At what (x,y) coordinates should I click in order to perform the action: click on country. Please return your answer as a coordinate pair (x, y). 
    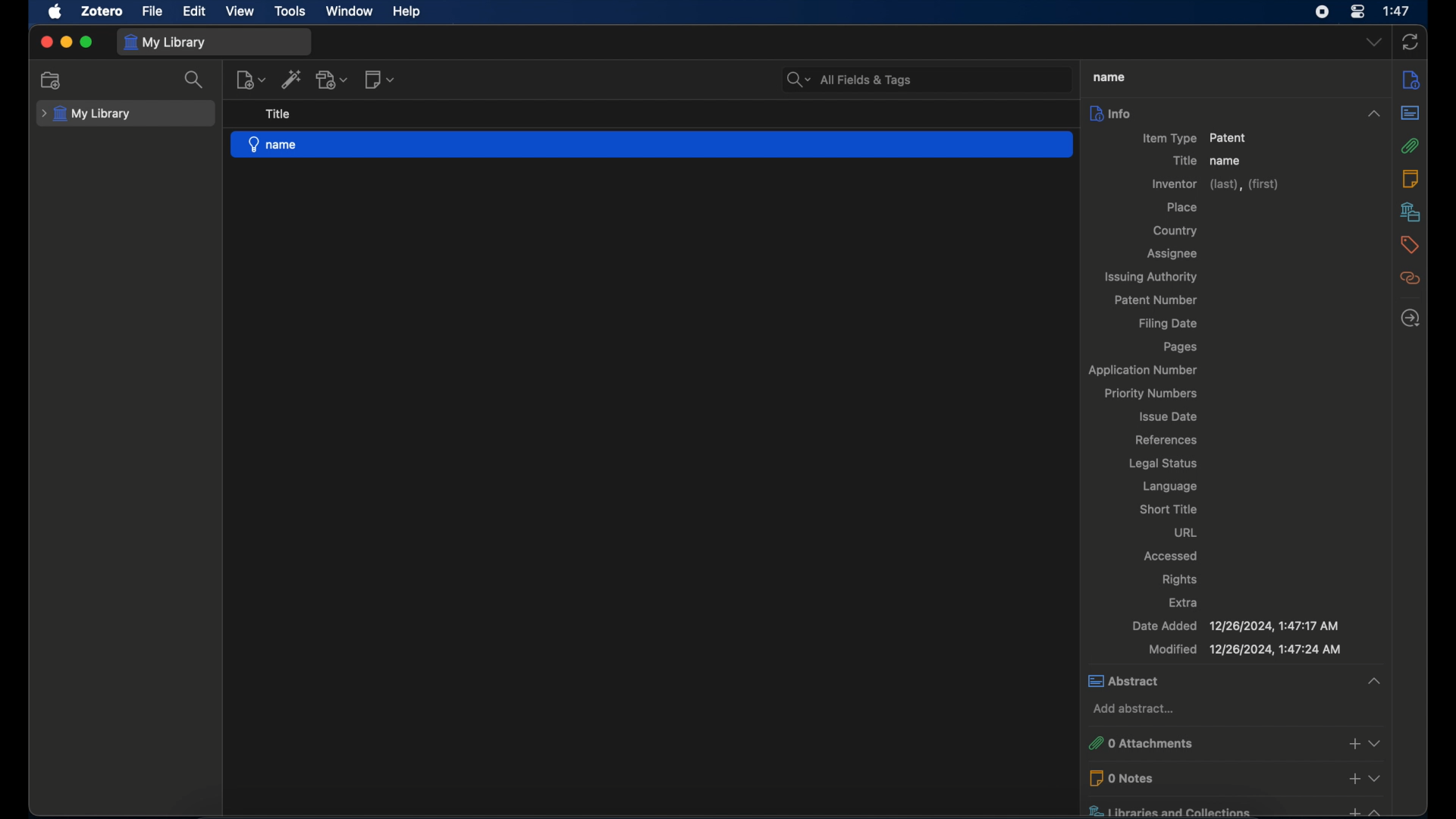
    Looking at the image, I should click on (1178, 231).